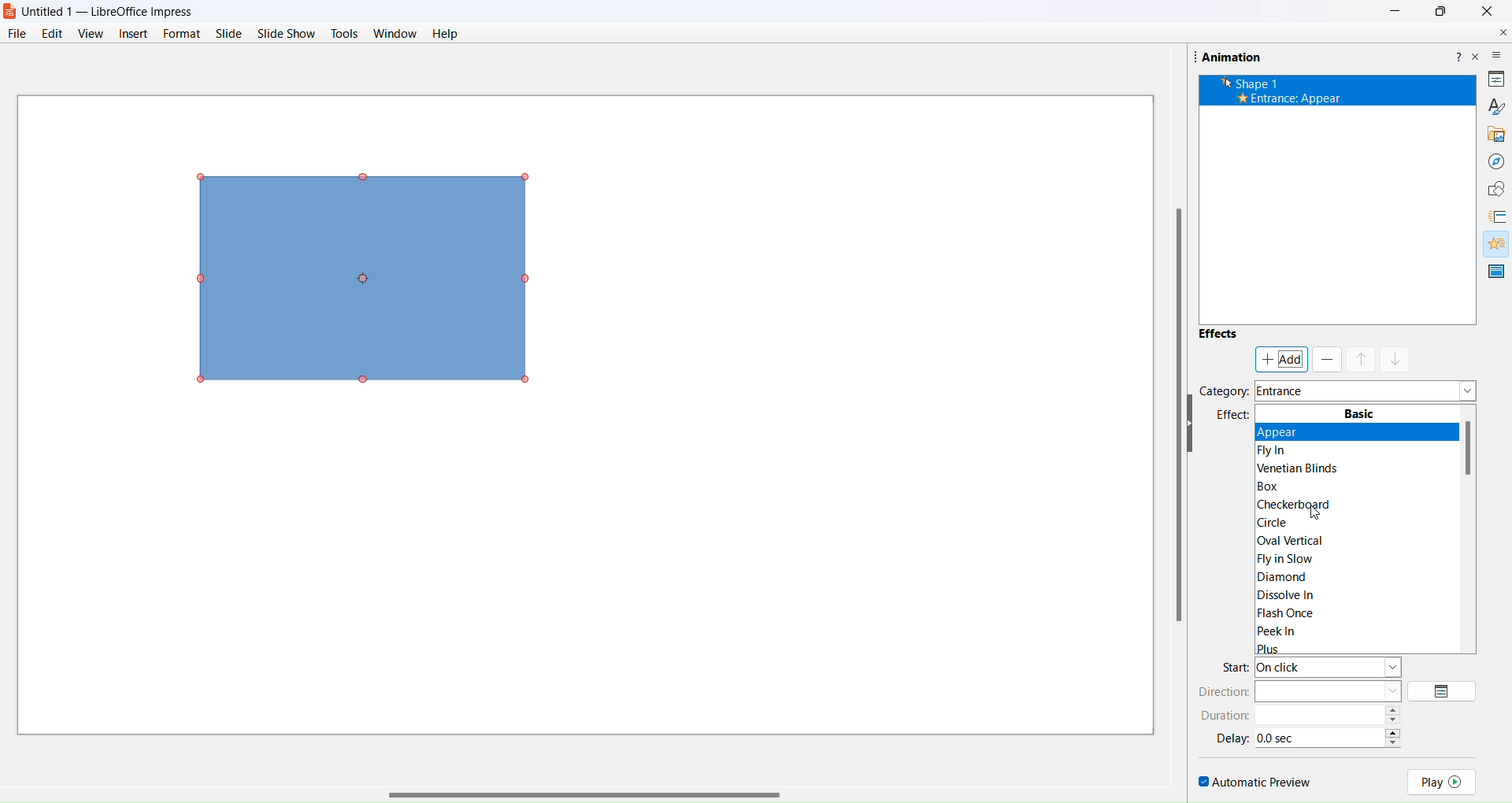 The height and width of the screenshot is (803, 1512). Describe the element at coordinates (1457, 54) in the screenshot. I see `help` at that location.